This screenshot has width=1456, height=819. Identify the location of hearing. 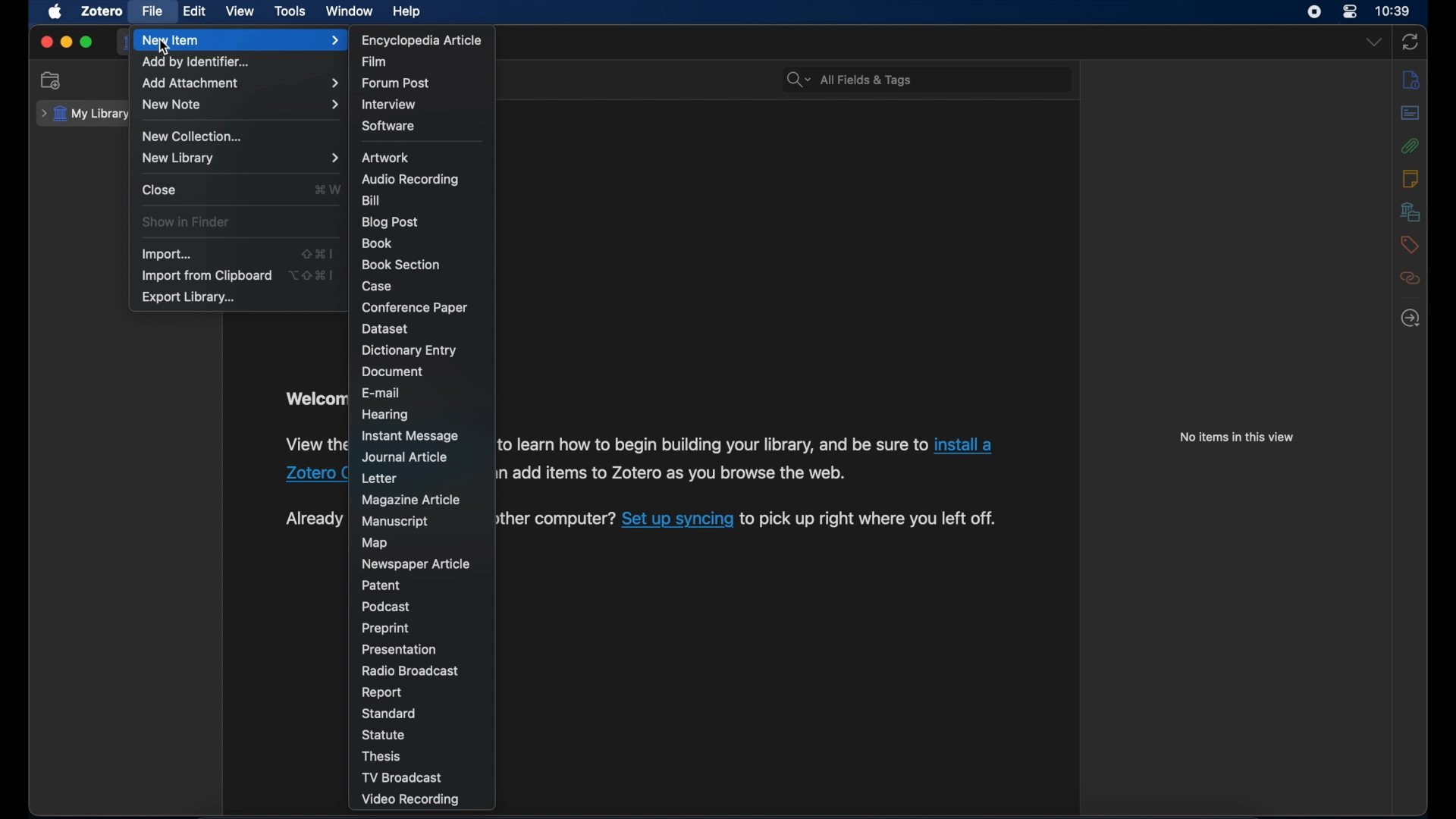
(386, 415).